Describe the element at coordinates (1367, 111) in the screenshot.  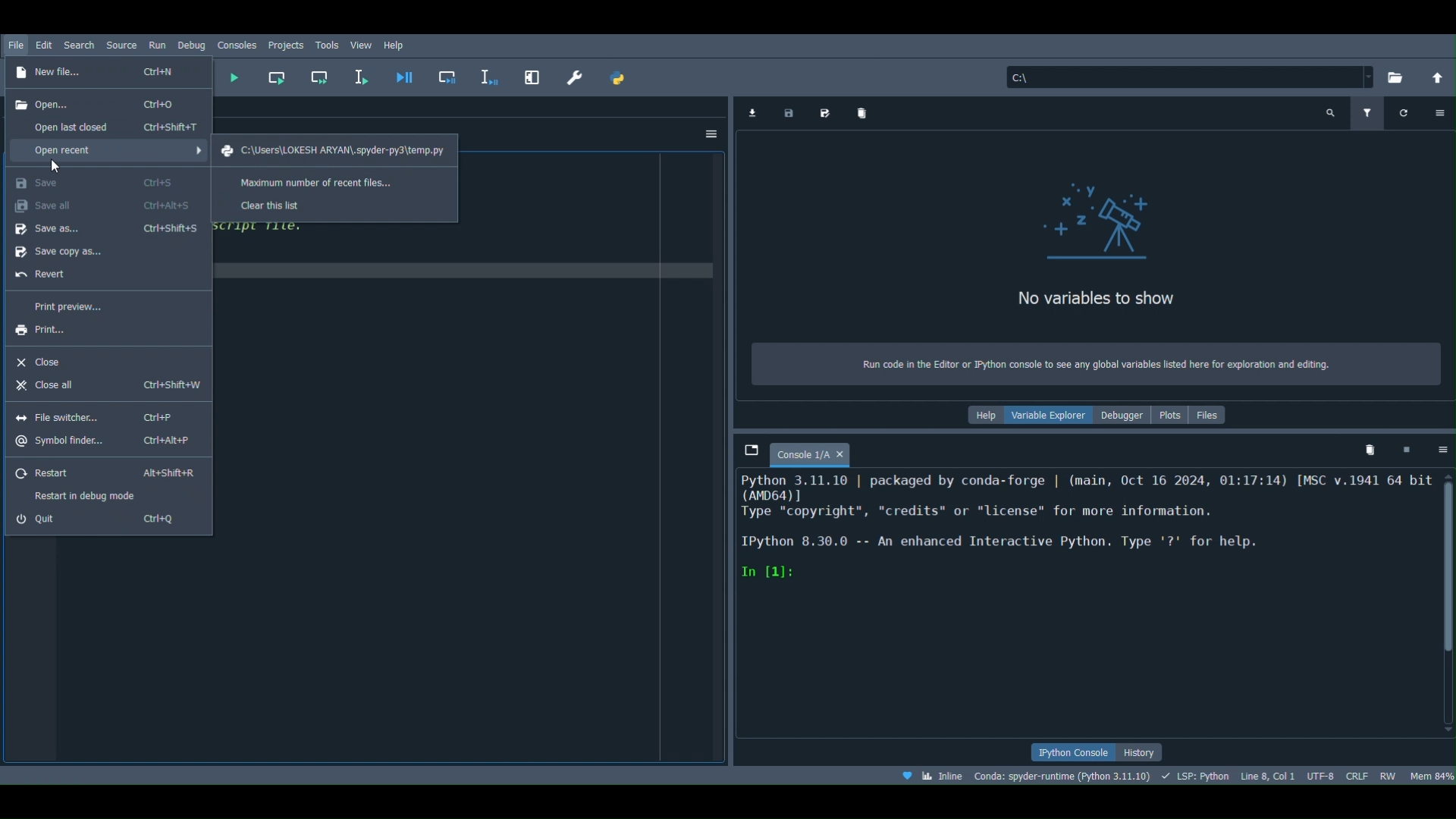
I see `Filter variables` at that location.